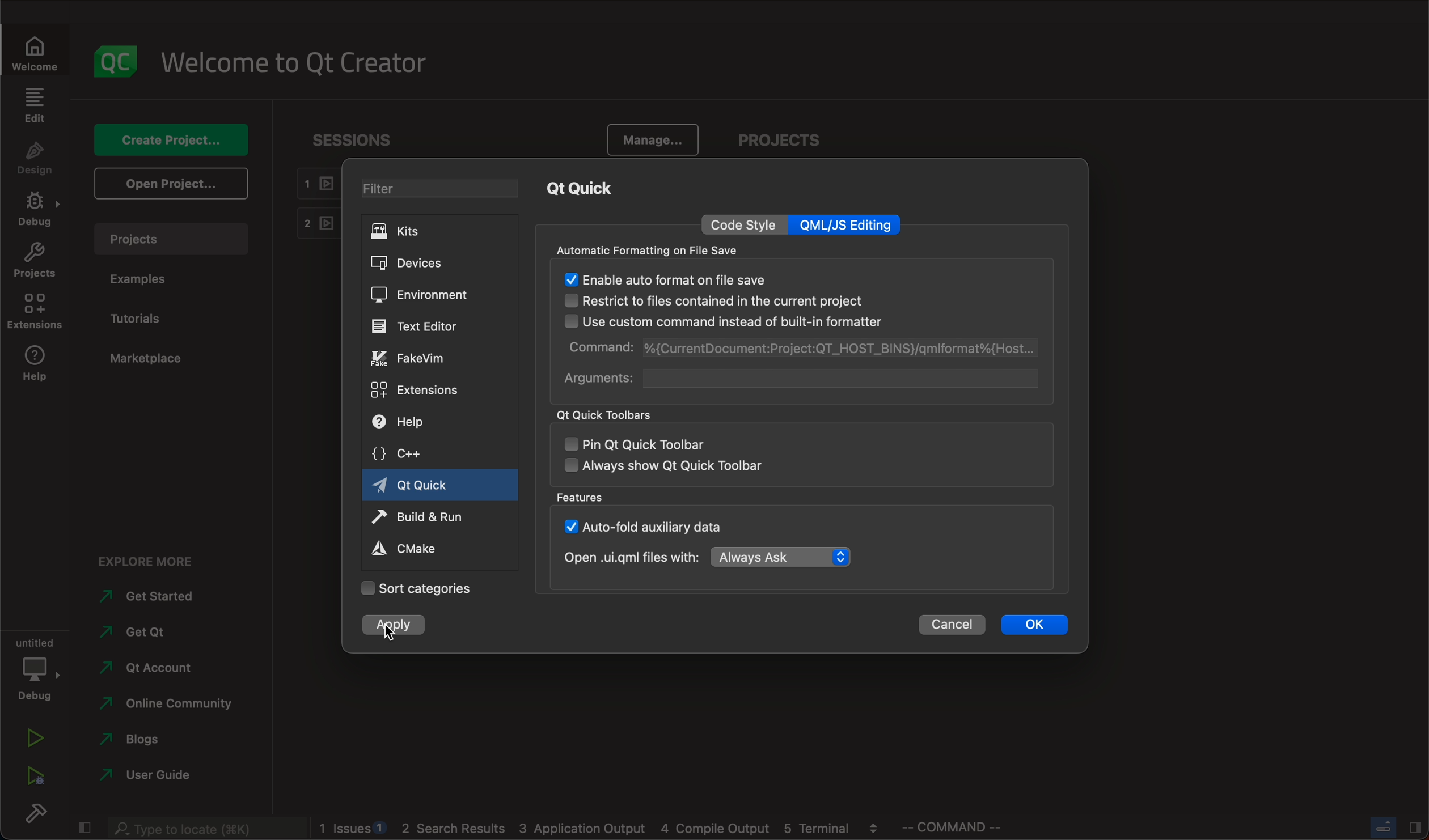 The height and width of the screenshot is (840, 1429). What do you see at coordinates (35, 261) in the screenshot?
I see `projects` at bounding box center [35, 261].